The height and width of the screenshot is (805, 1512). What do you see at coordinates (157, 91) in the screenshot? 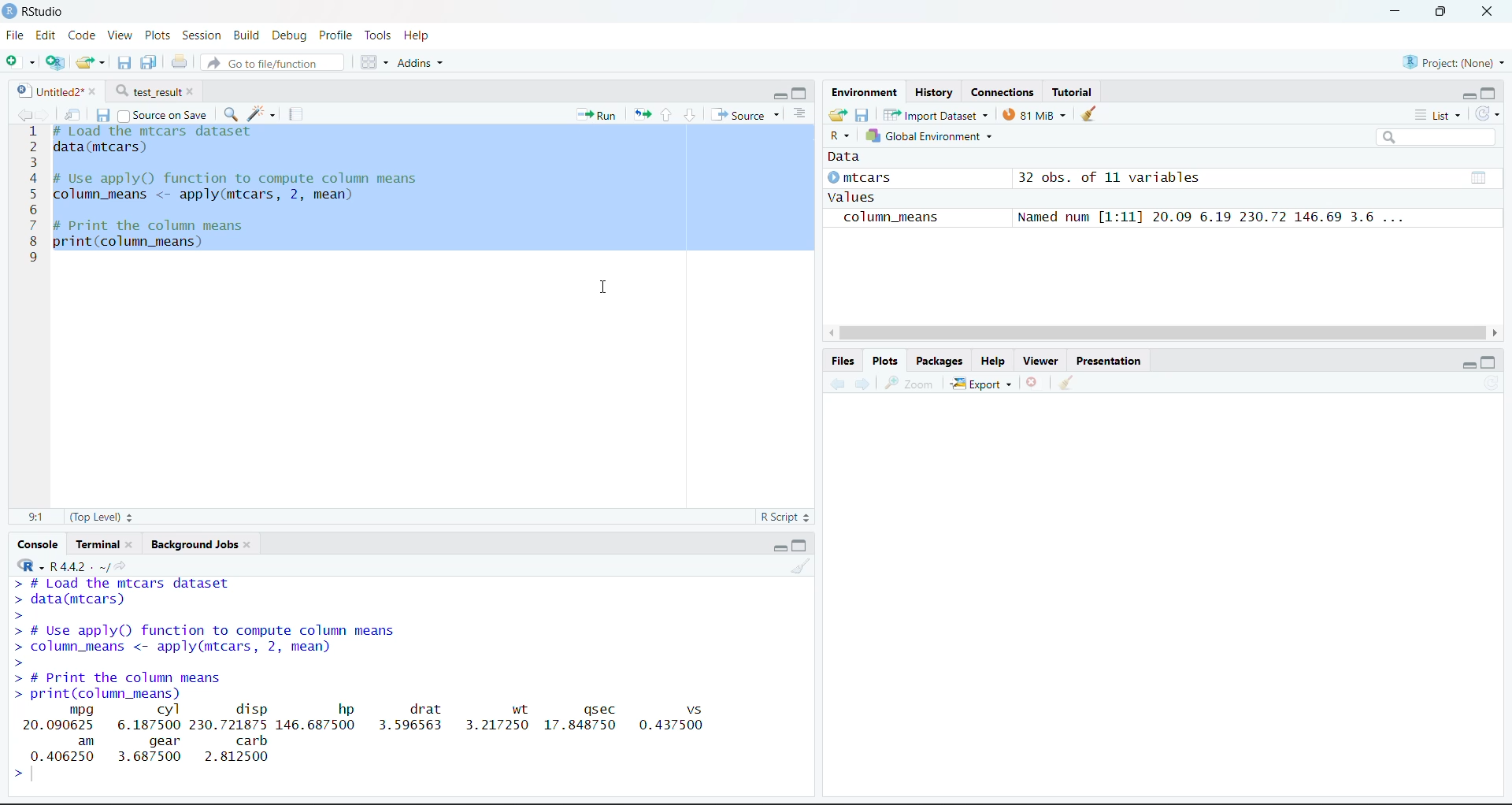
I see `test_result*` at bounding box center [157, 91].